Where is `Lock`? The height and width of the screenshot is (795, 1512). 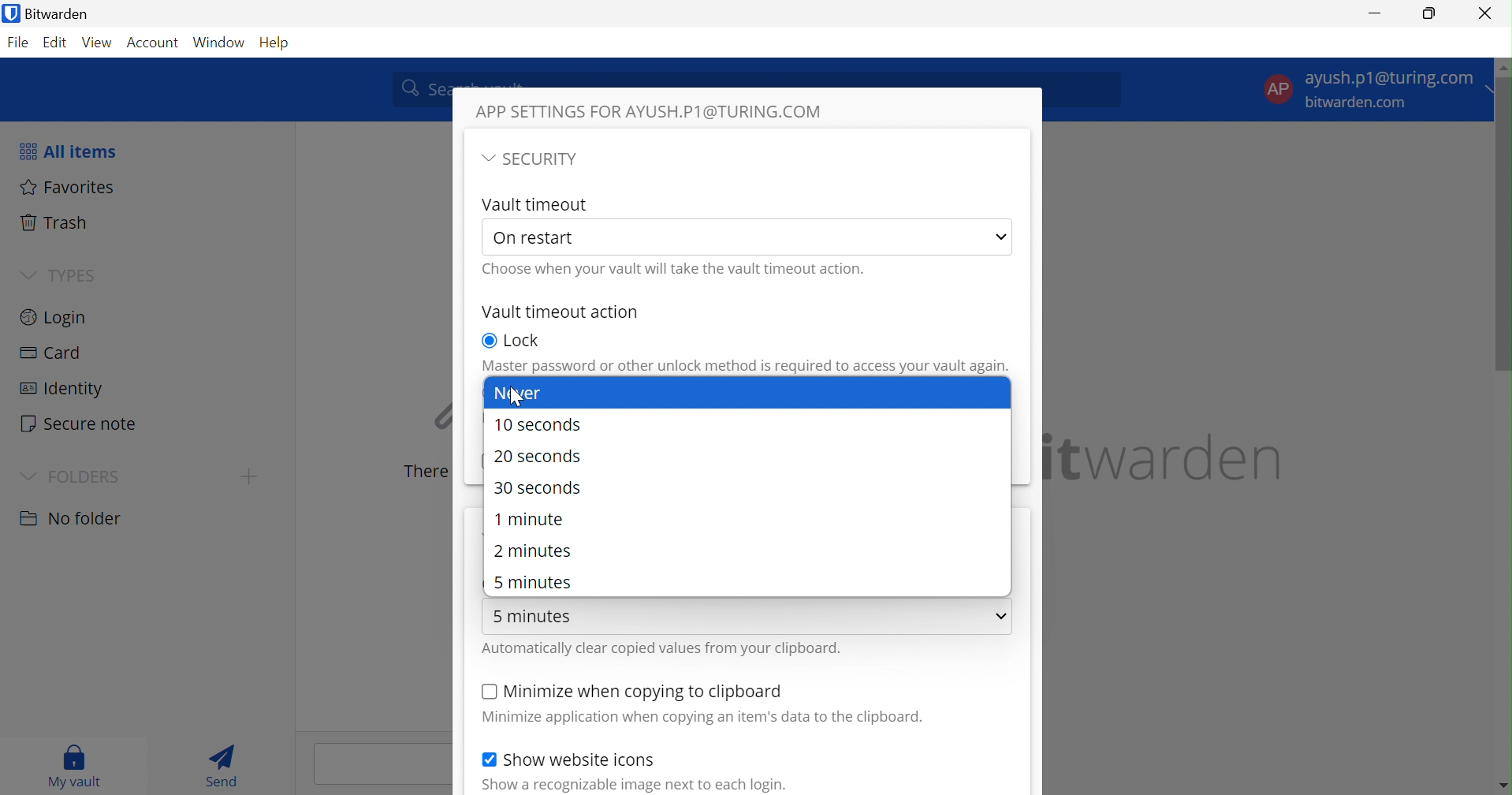
Lock is located at coordinates (524, 340).